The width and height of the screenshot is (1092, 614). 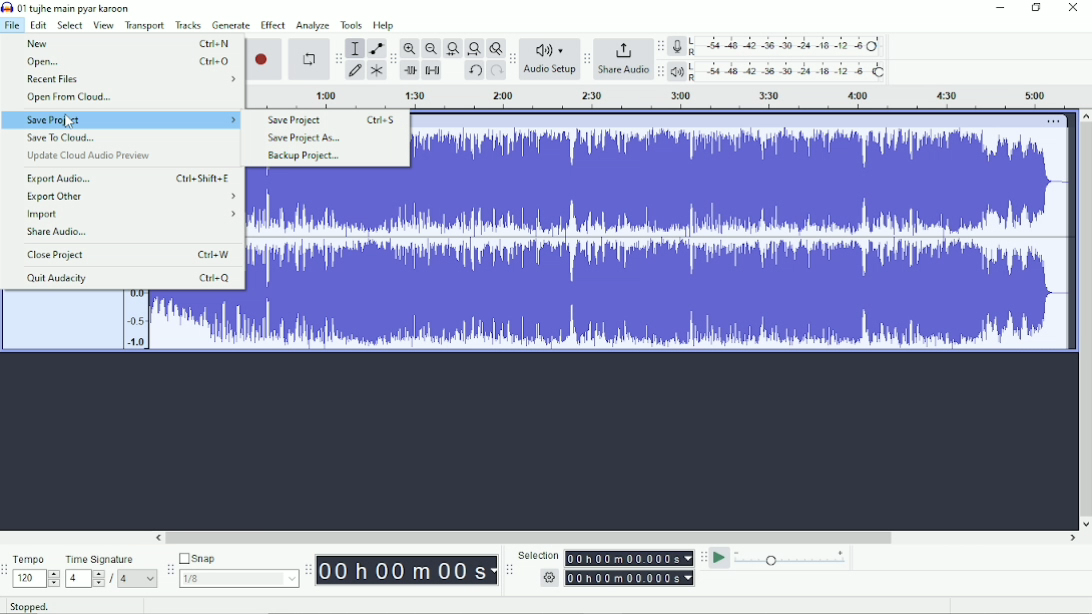 What do you see at coordinates (392, 60) in the screenshot?
I see `Audacity edit toolbar` at bounding box center [392, 60].